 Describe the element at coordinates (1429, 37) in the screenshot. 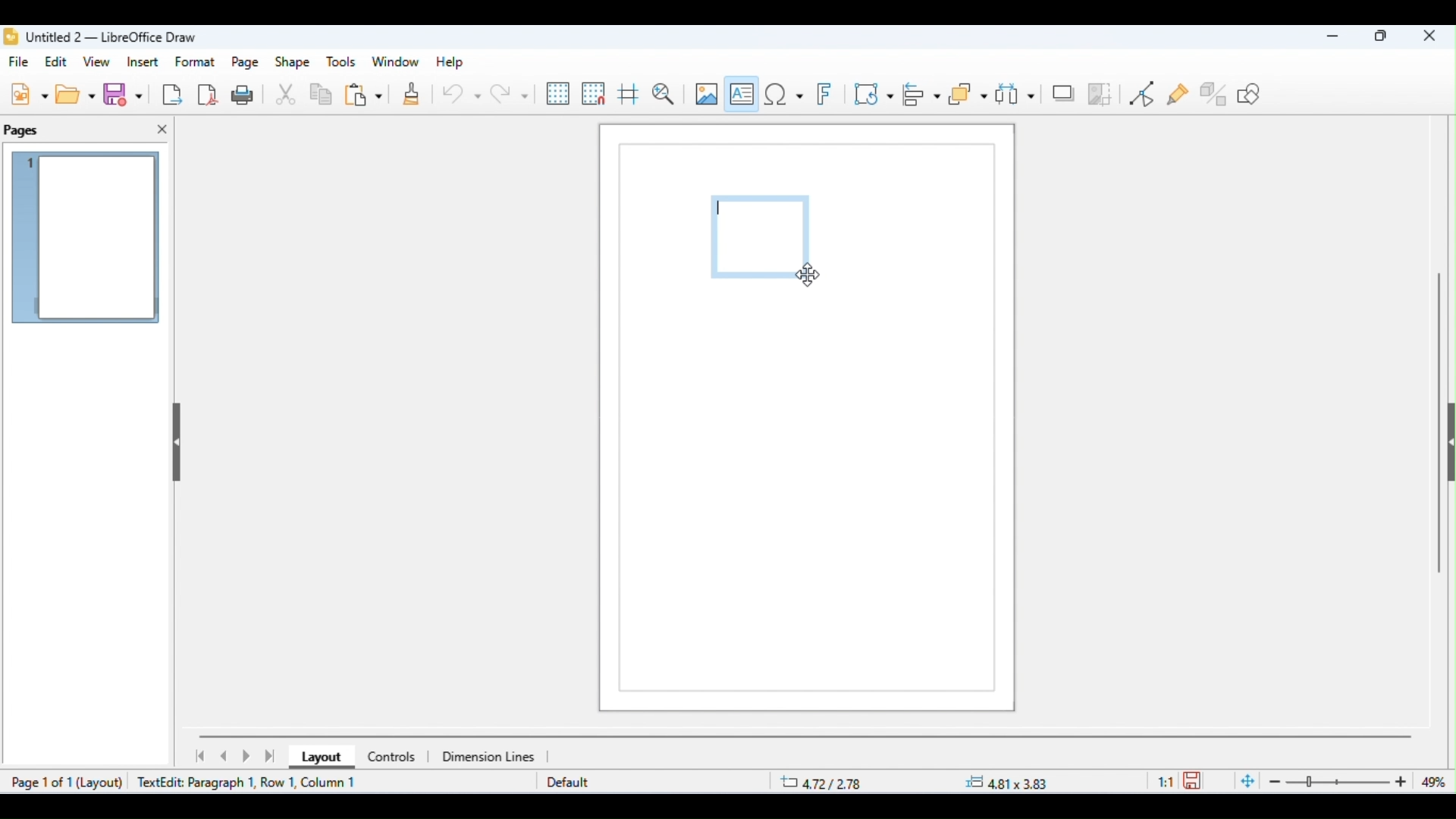

I see `close` at that location.